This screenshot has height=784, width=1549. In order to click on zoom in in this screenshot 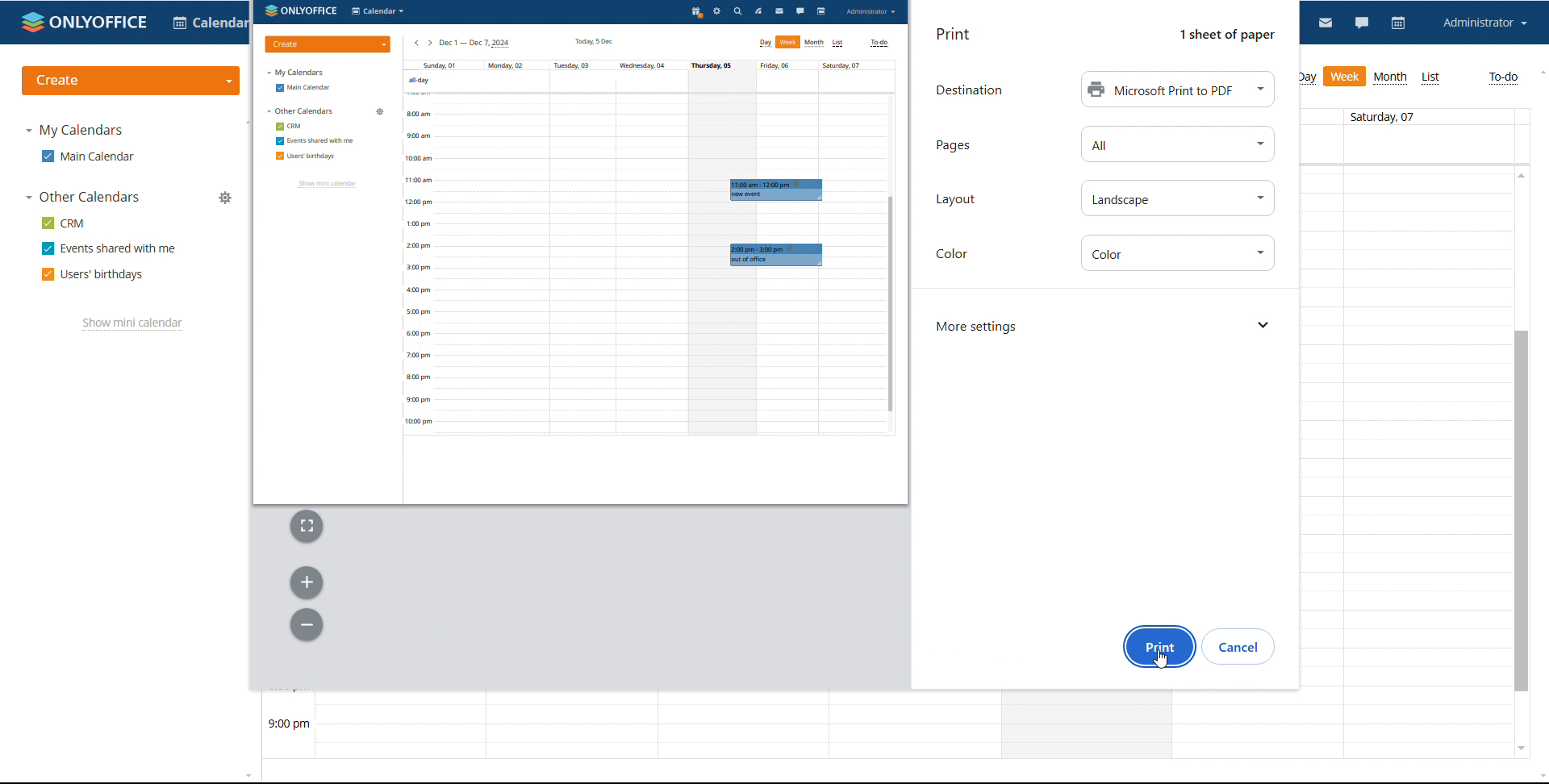, I will do `click(307, 582)`.